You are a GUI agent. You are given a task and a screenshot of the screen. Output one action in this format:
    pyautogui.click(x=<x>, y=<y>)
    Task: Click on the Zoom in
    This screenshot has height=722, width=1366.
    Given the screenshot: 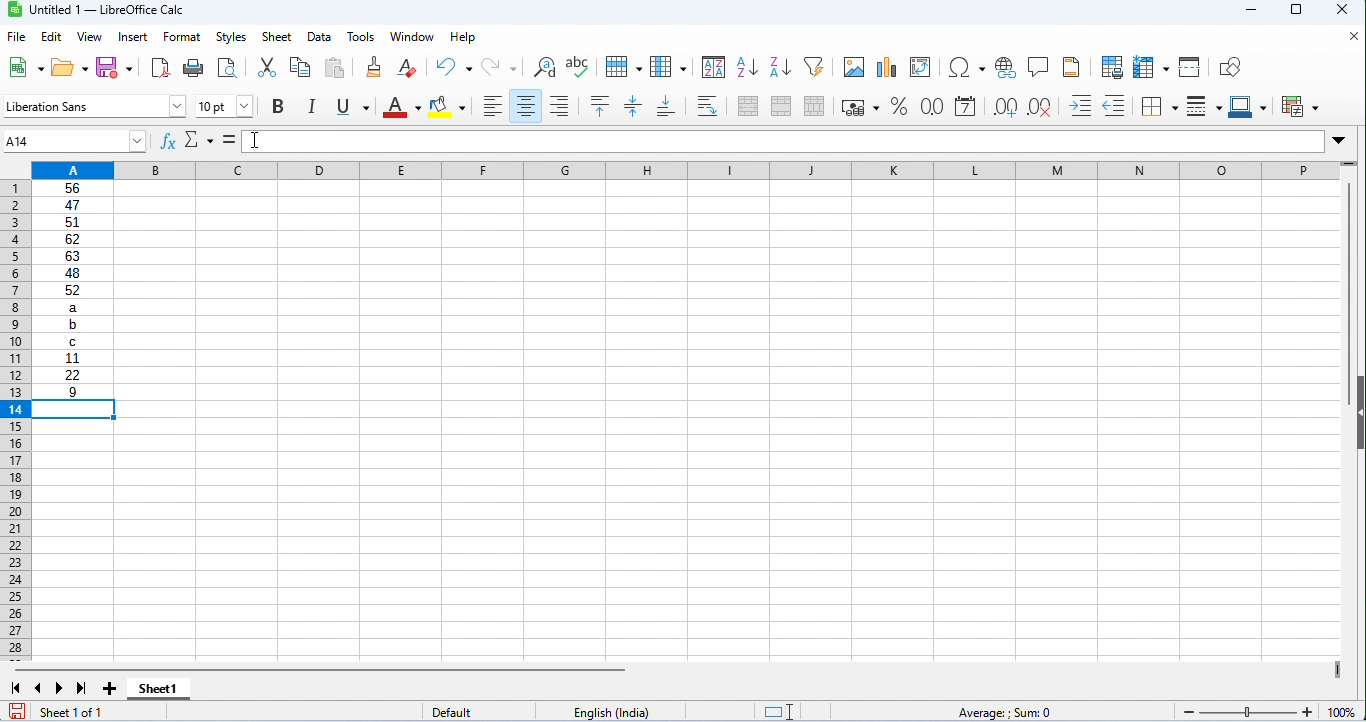 What is the action you would take?
    pyautogui.click(x=1307, y=712)
    